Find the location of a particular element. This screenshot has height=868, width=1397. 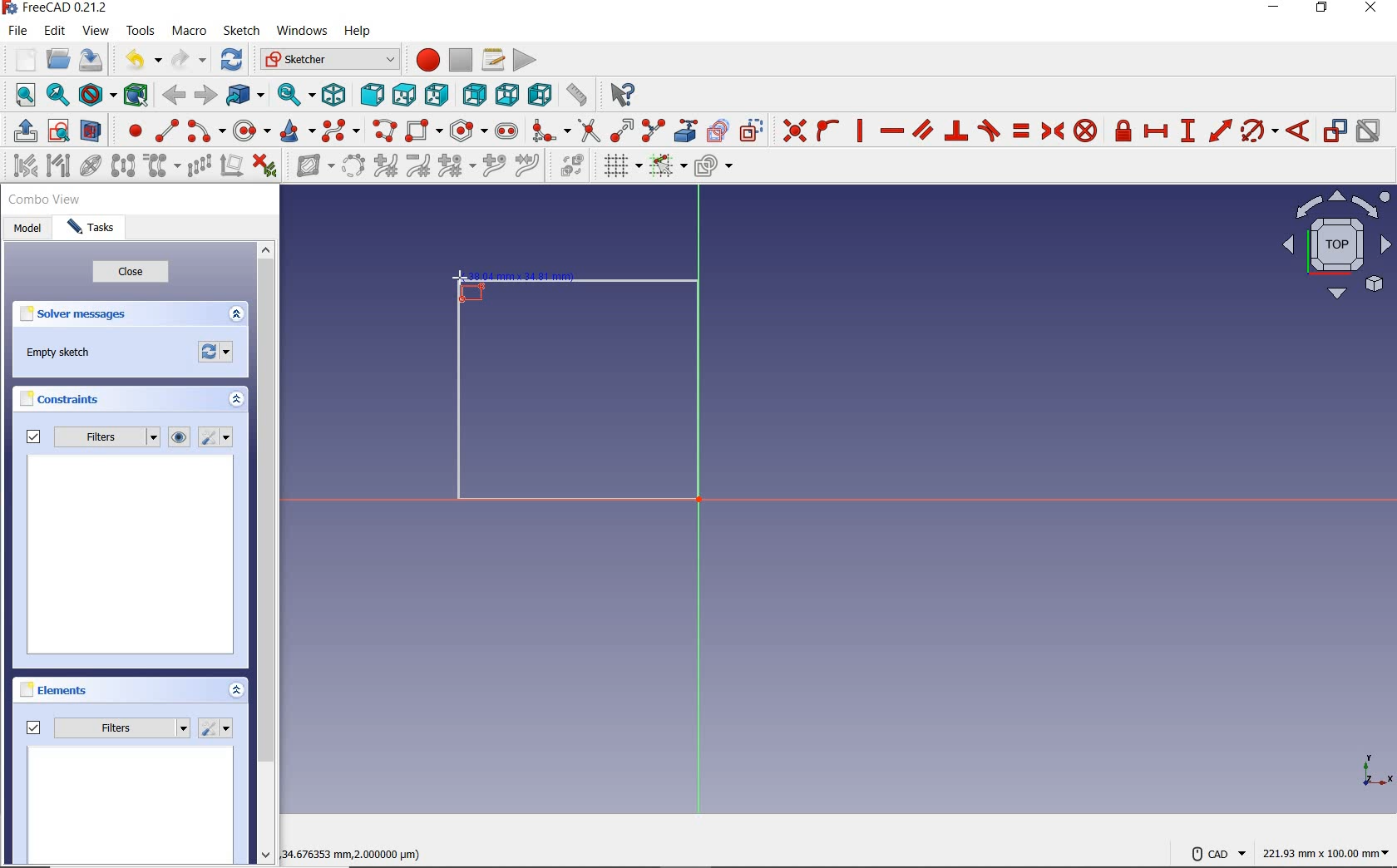

insert knot is located at coordinates (496, 168).